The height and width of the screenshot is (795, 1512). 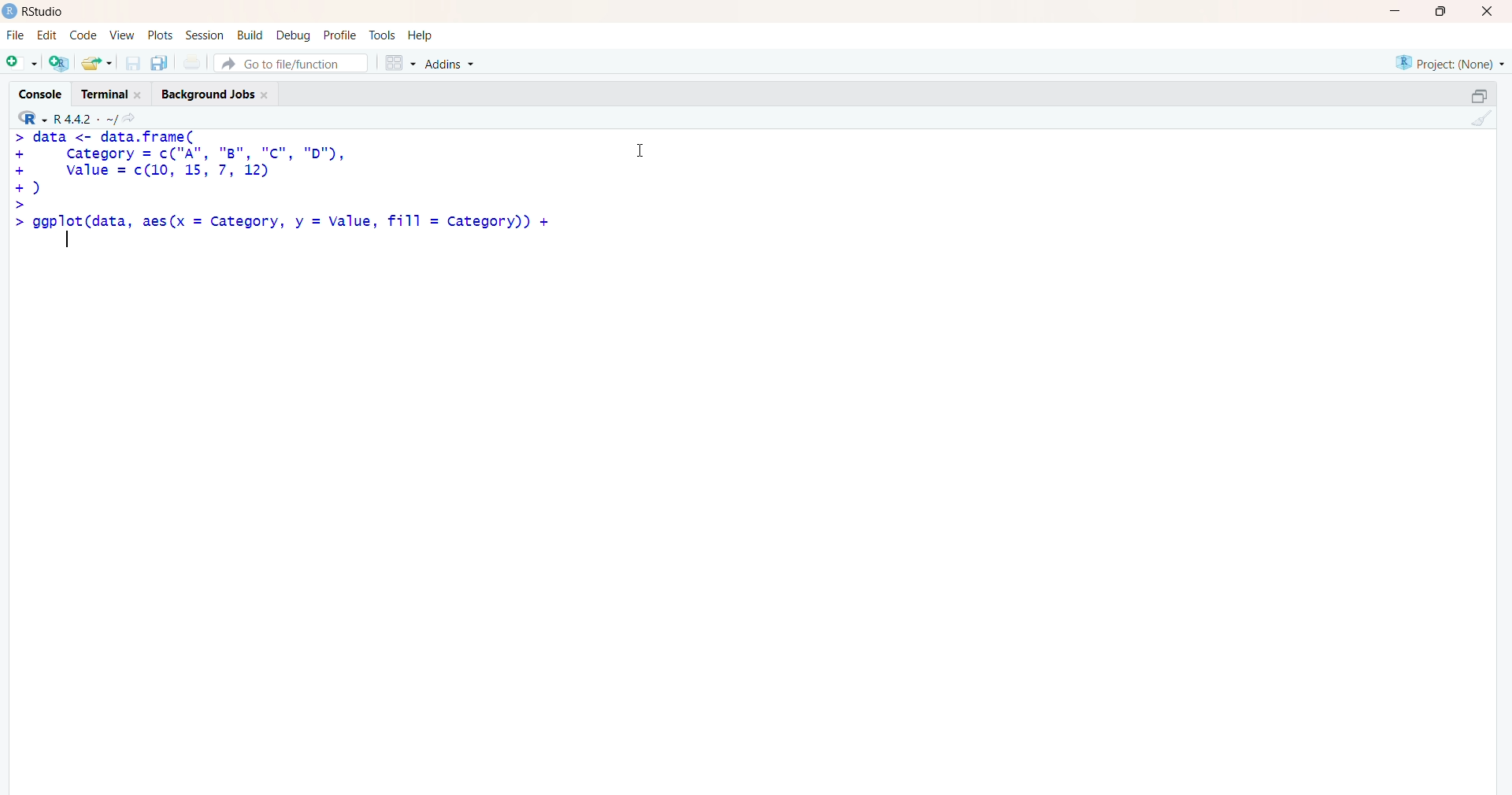 I want to click on clear console, so click(x=1479, y=118).